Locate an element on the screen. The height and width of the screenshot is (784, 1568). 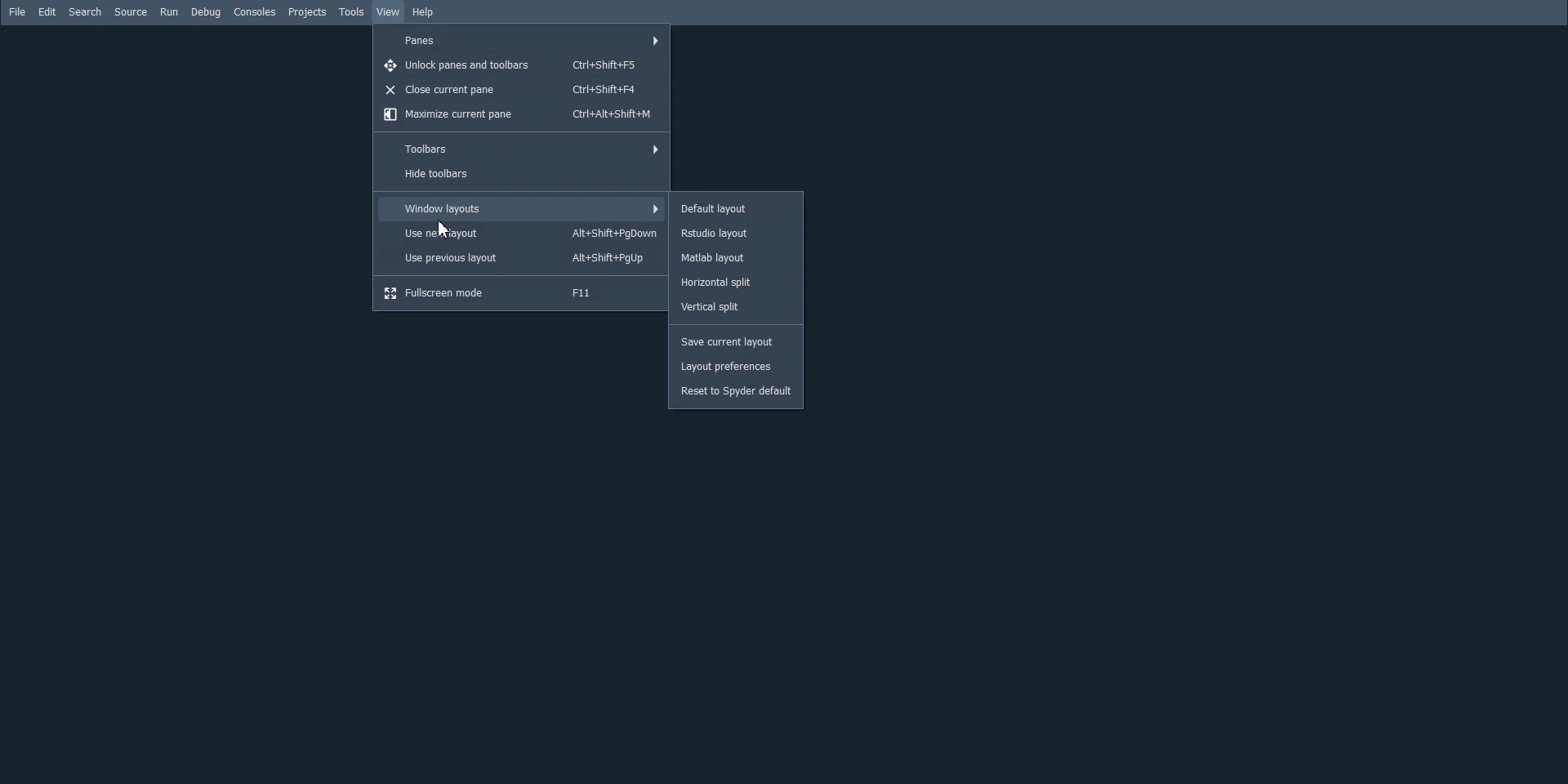
View is located at coordinates (387, 12).